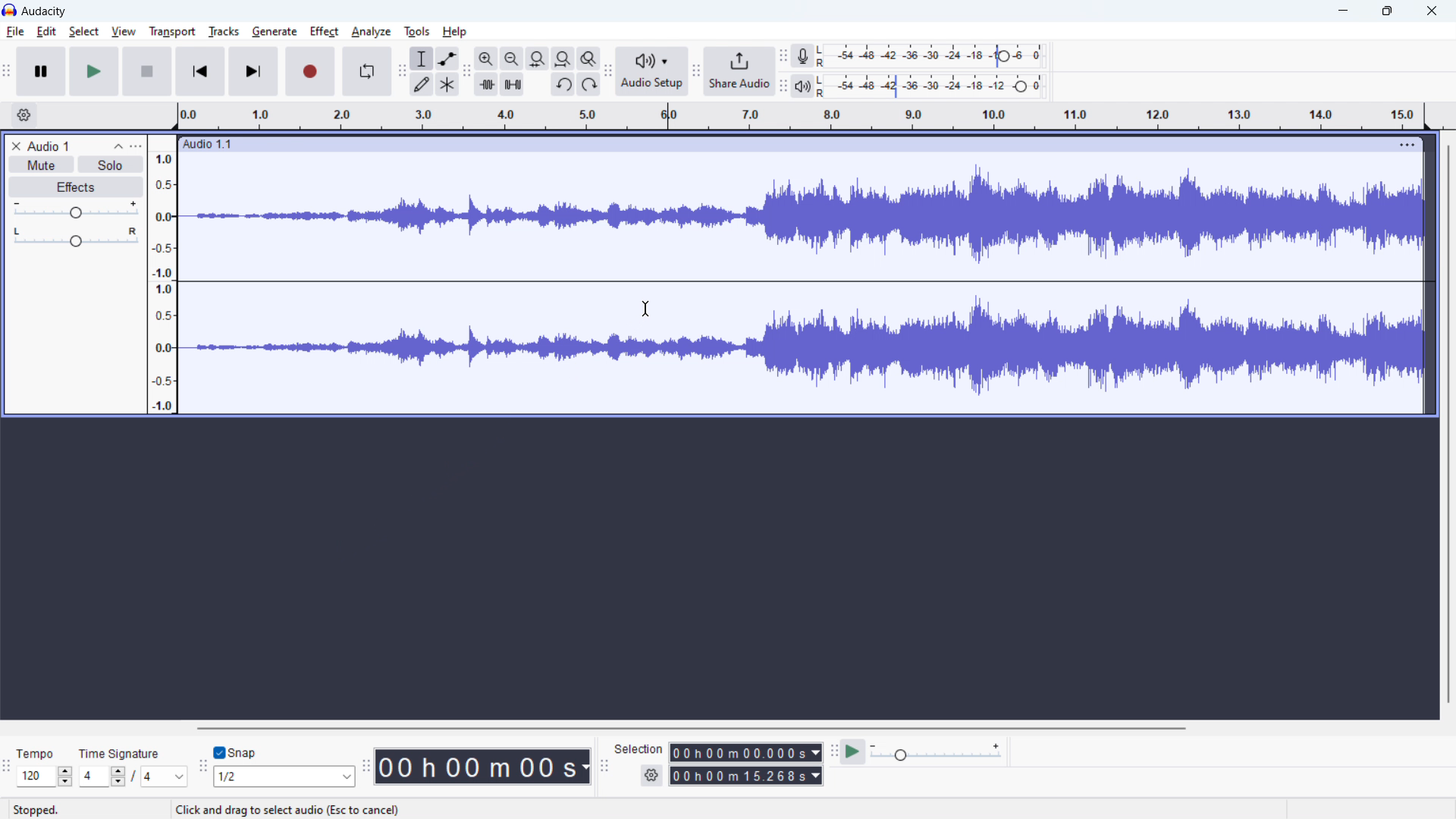  Describe the element at coordinates (370, 33) in the screenshot. I see `analyze` at that location.